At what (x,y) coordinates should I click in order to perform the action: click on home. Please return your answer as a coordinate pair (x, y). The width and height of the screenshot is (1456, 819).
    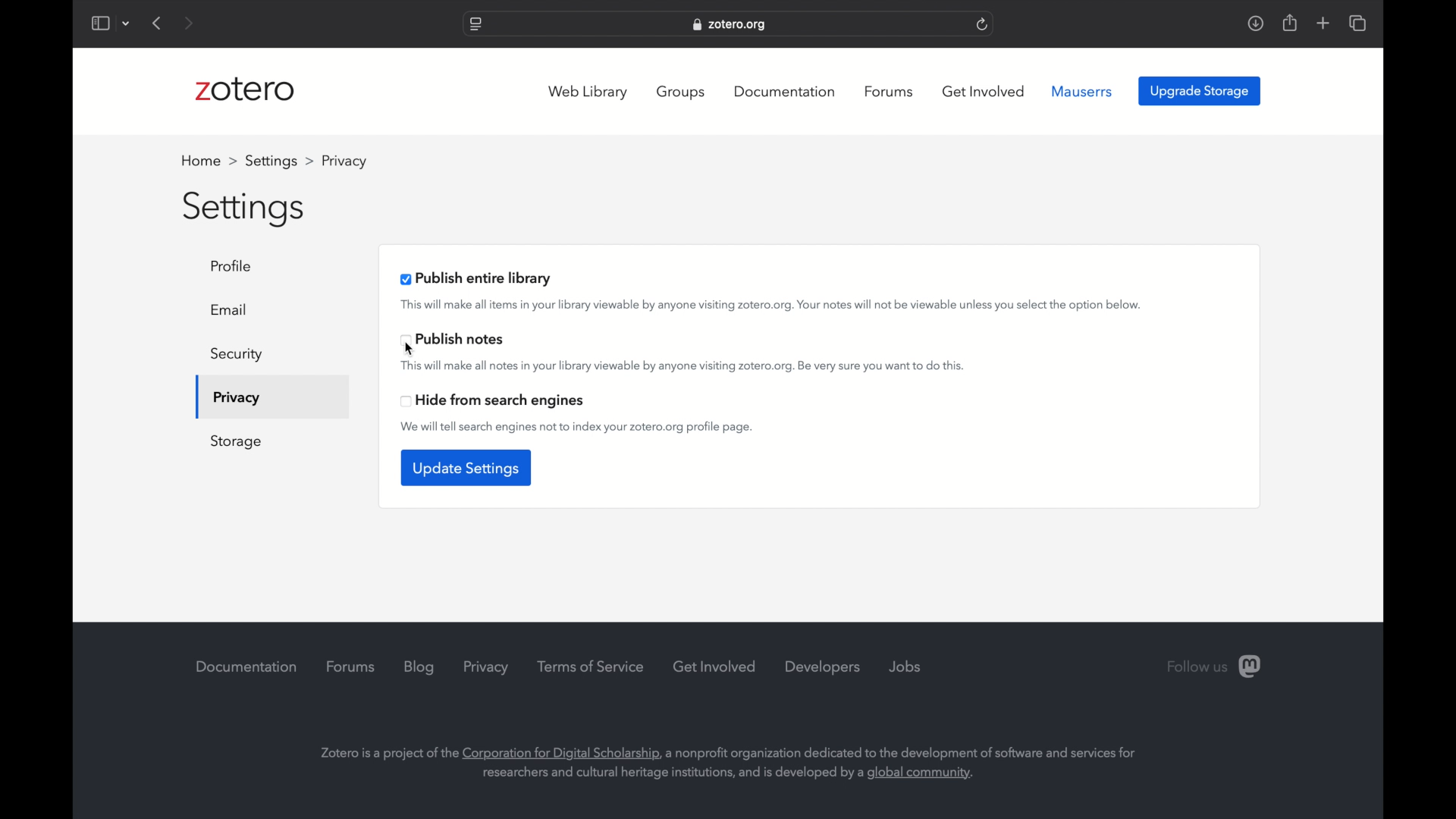
    Looking at the image, I should click on (209, 161).